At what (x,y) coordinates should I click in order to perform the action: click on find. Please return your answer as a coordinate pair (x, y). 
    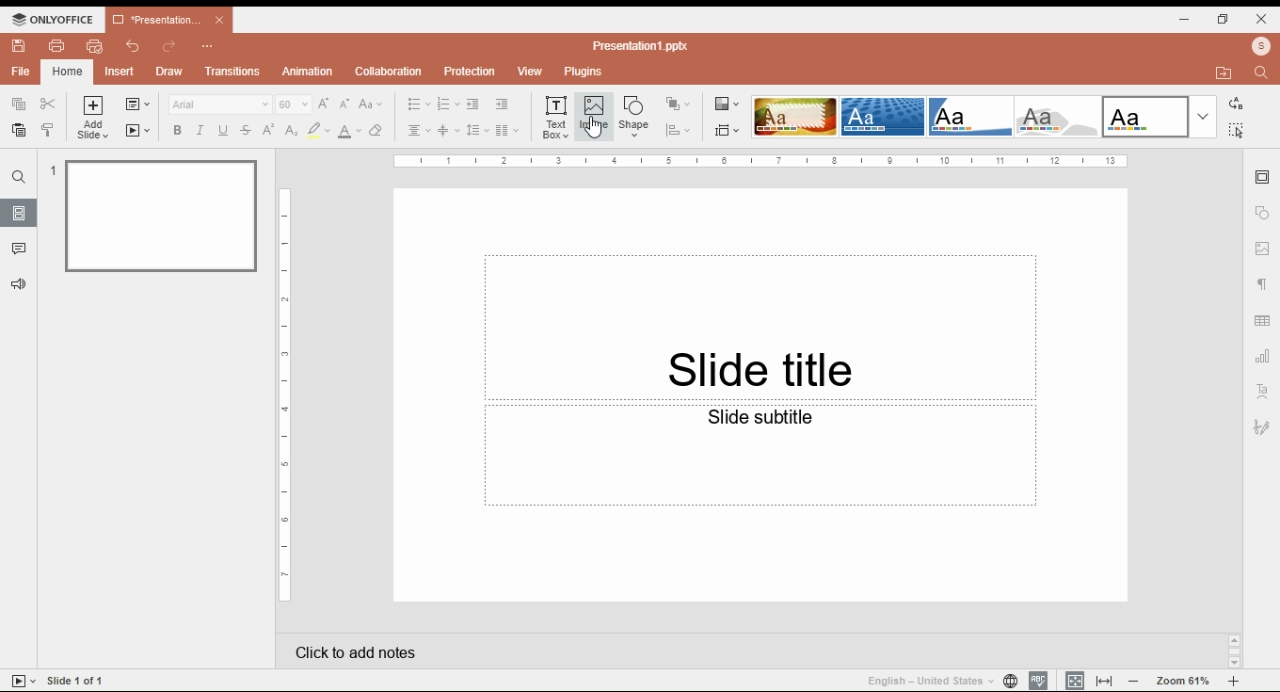
    Looking at the image, I should click on (1259, 74).